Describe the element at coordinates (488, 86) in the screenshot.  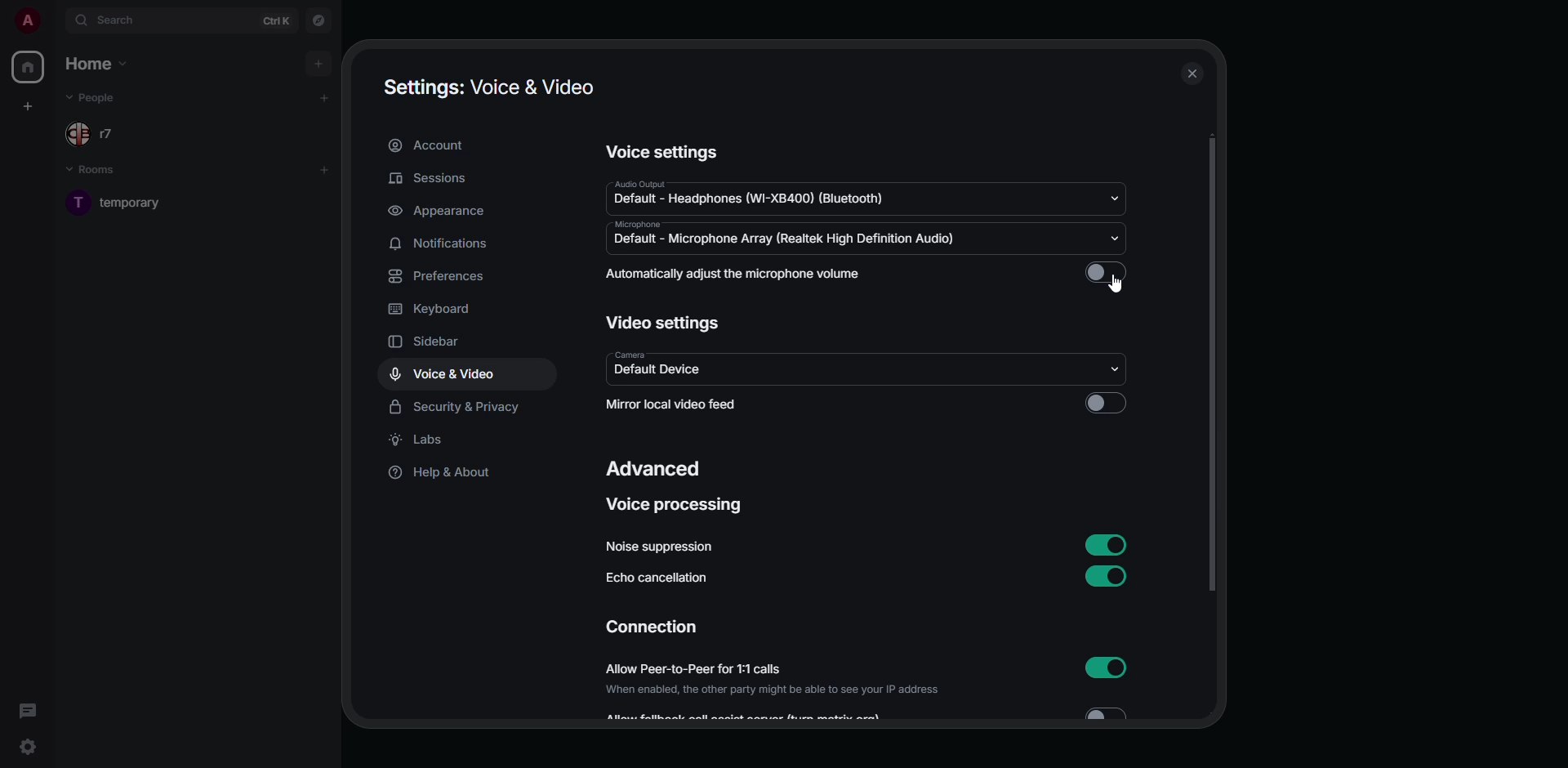
I see `settings voice & video` at that location.